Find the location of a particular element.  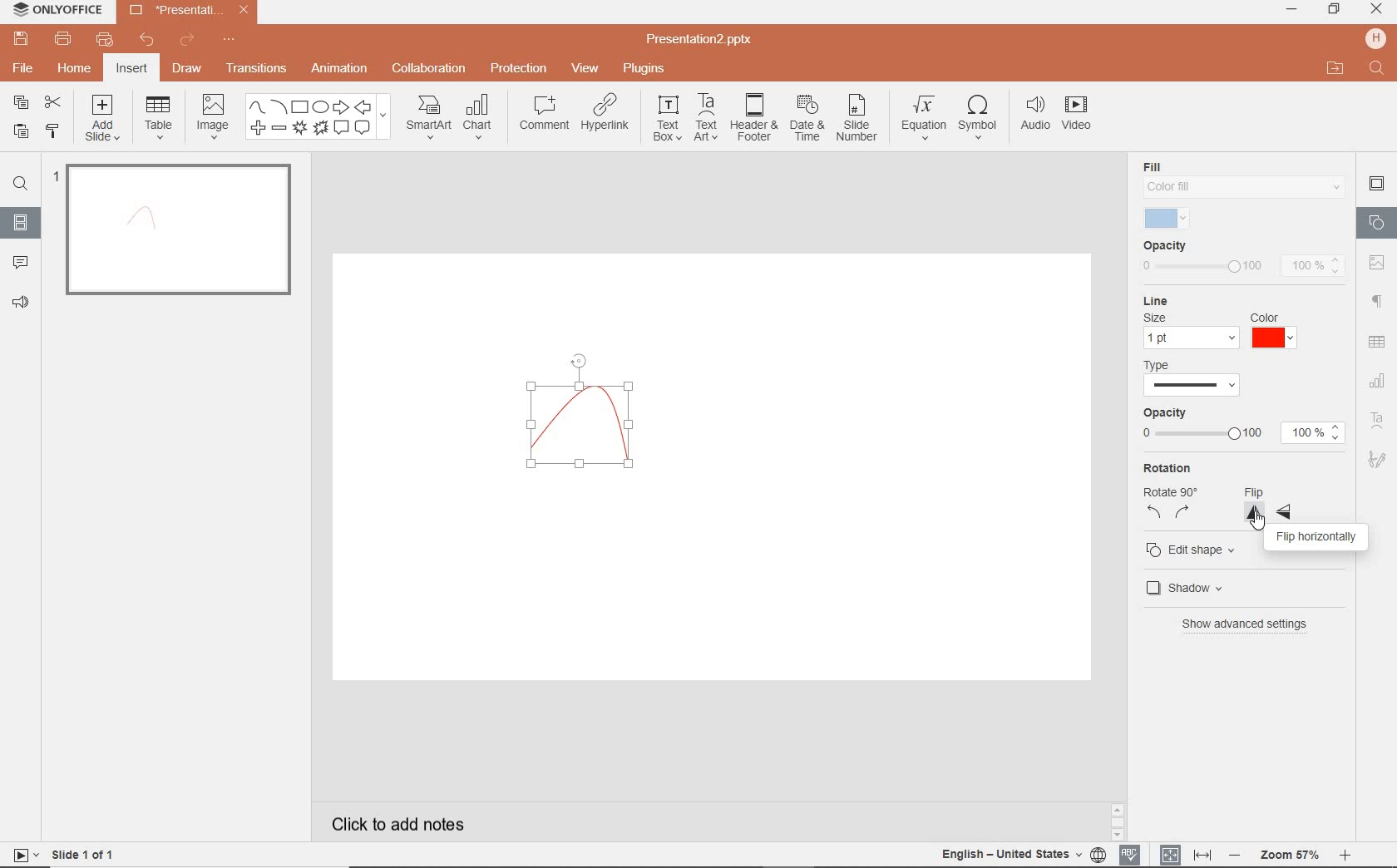

Presentation2.pptx is located at coordinates (189, 13).